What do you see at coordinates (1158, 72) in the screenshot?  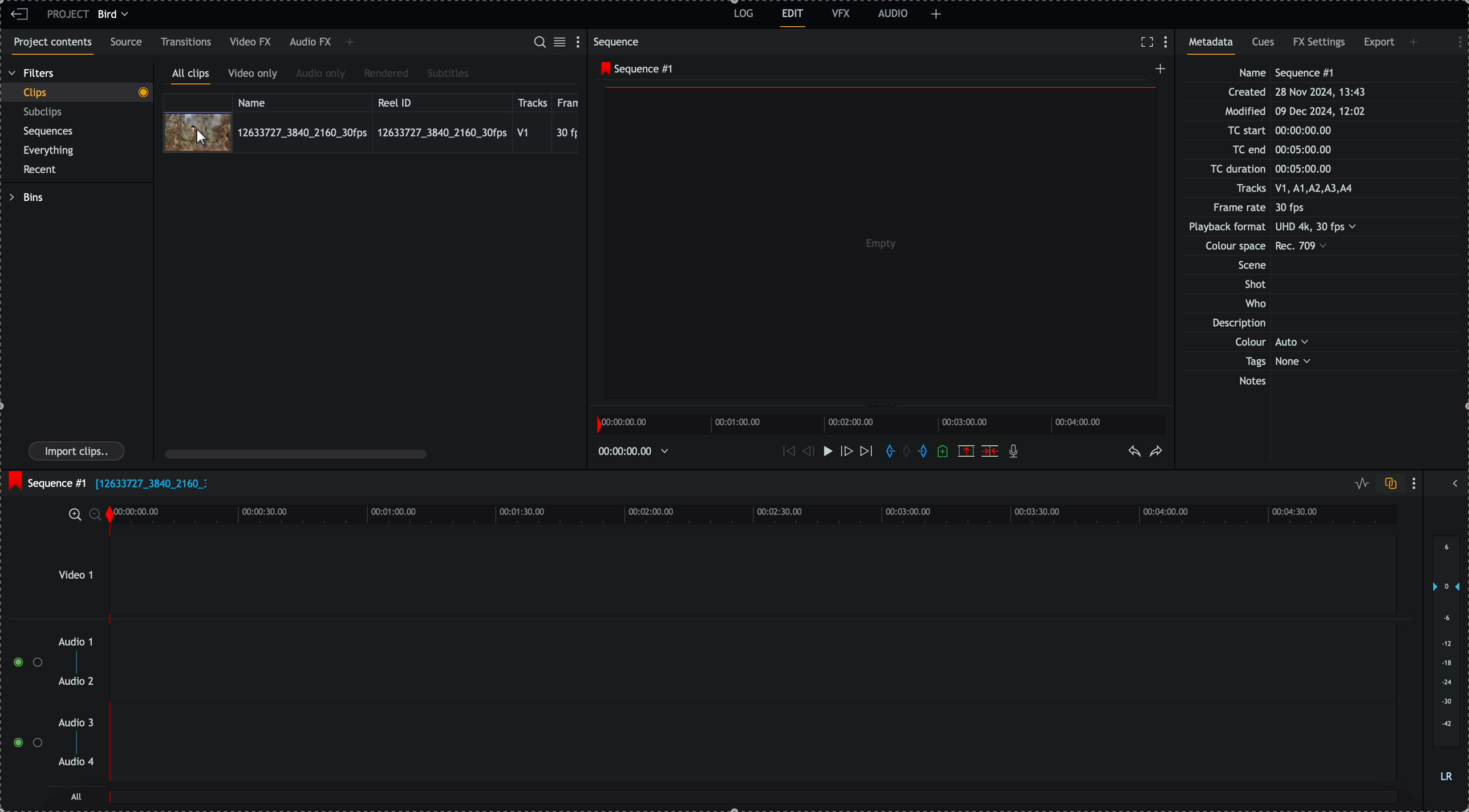 I see `create a new sequence` at bounding box center [1158, 72].